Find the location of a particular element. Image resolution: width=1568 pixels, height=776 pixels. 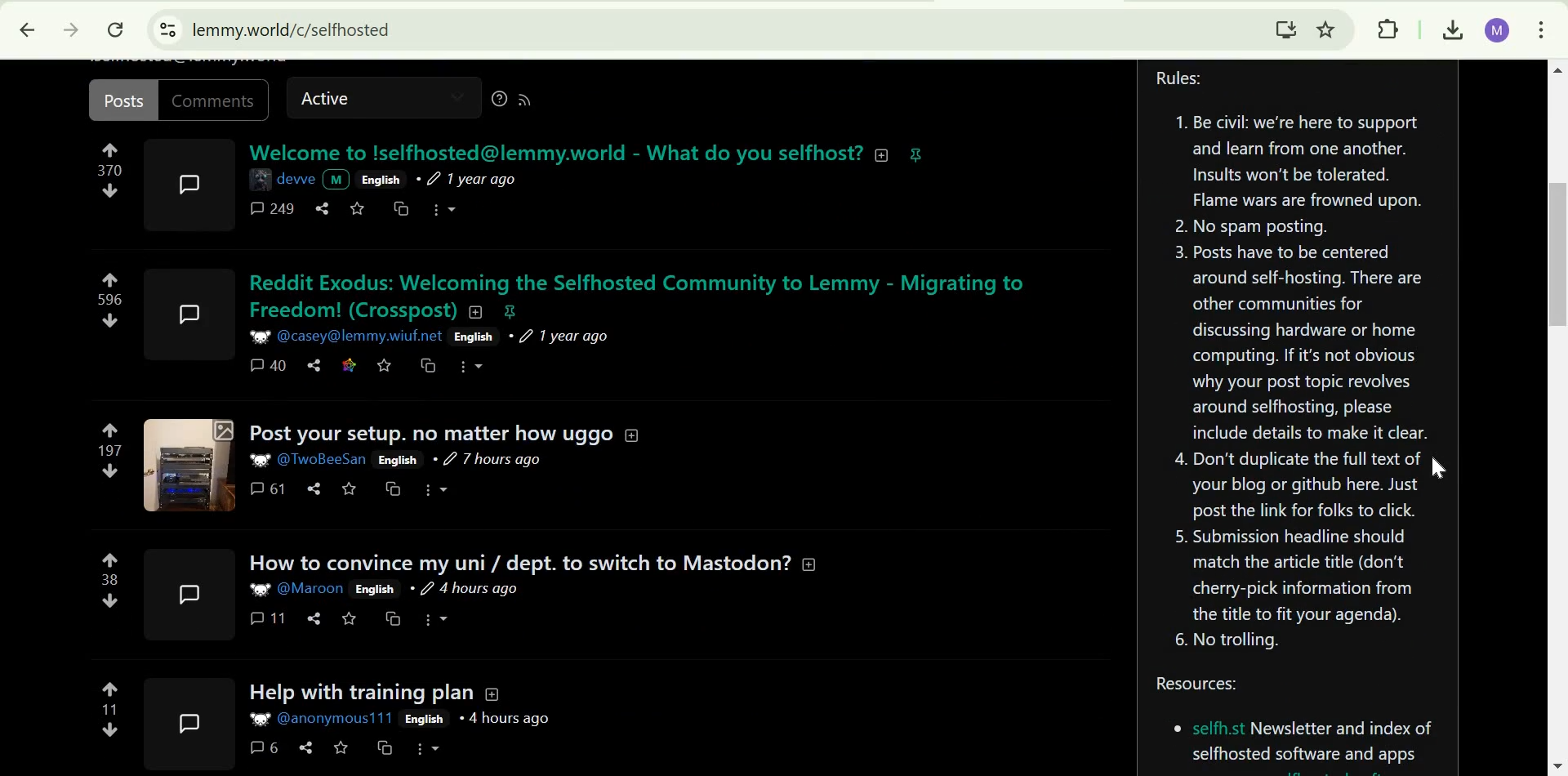

Download Lemmy.World is located at coordinates (1286, 28).